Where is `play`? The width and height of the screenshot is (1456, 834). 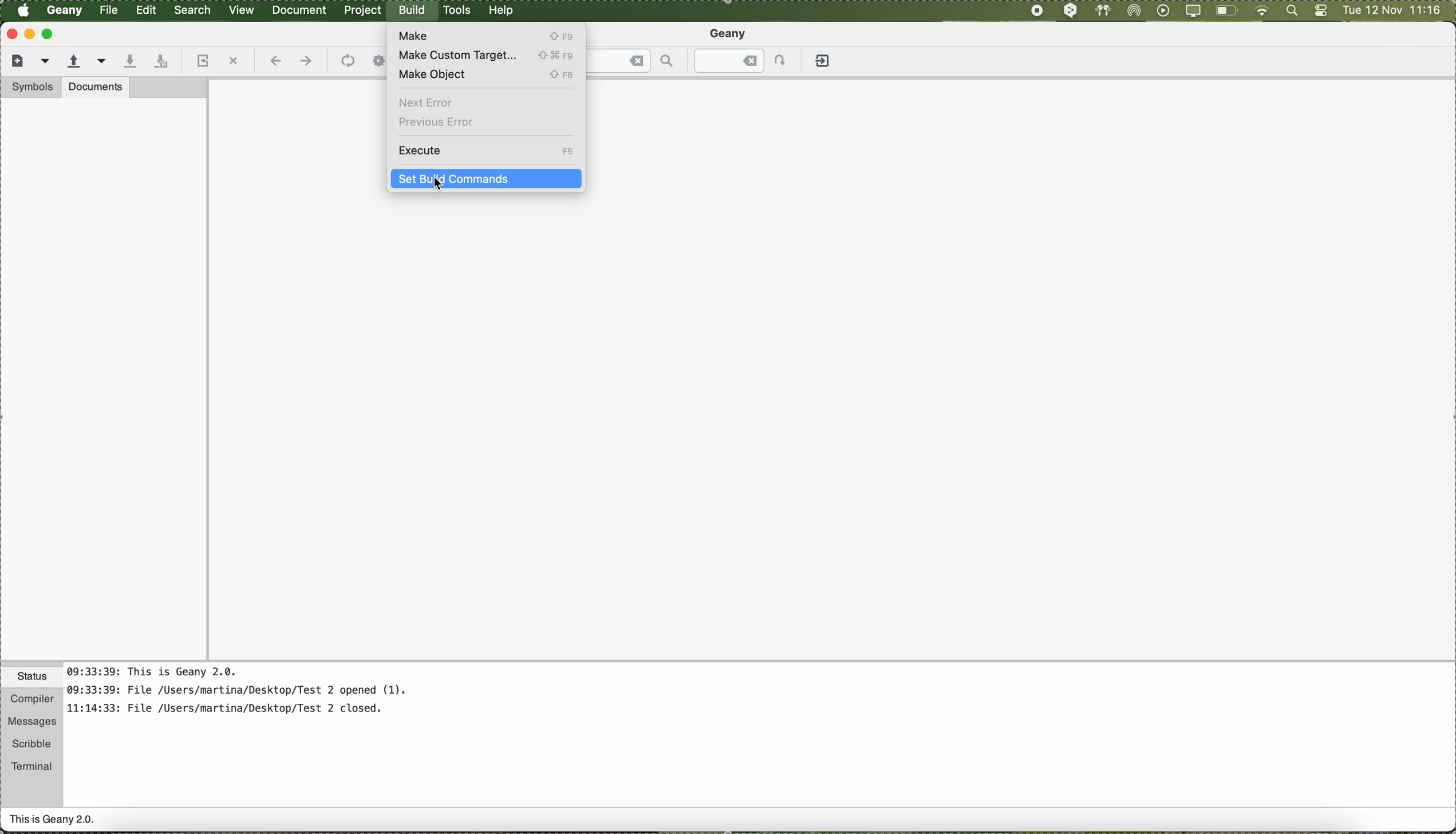 play is located at coordinates (1161, 10).